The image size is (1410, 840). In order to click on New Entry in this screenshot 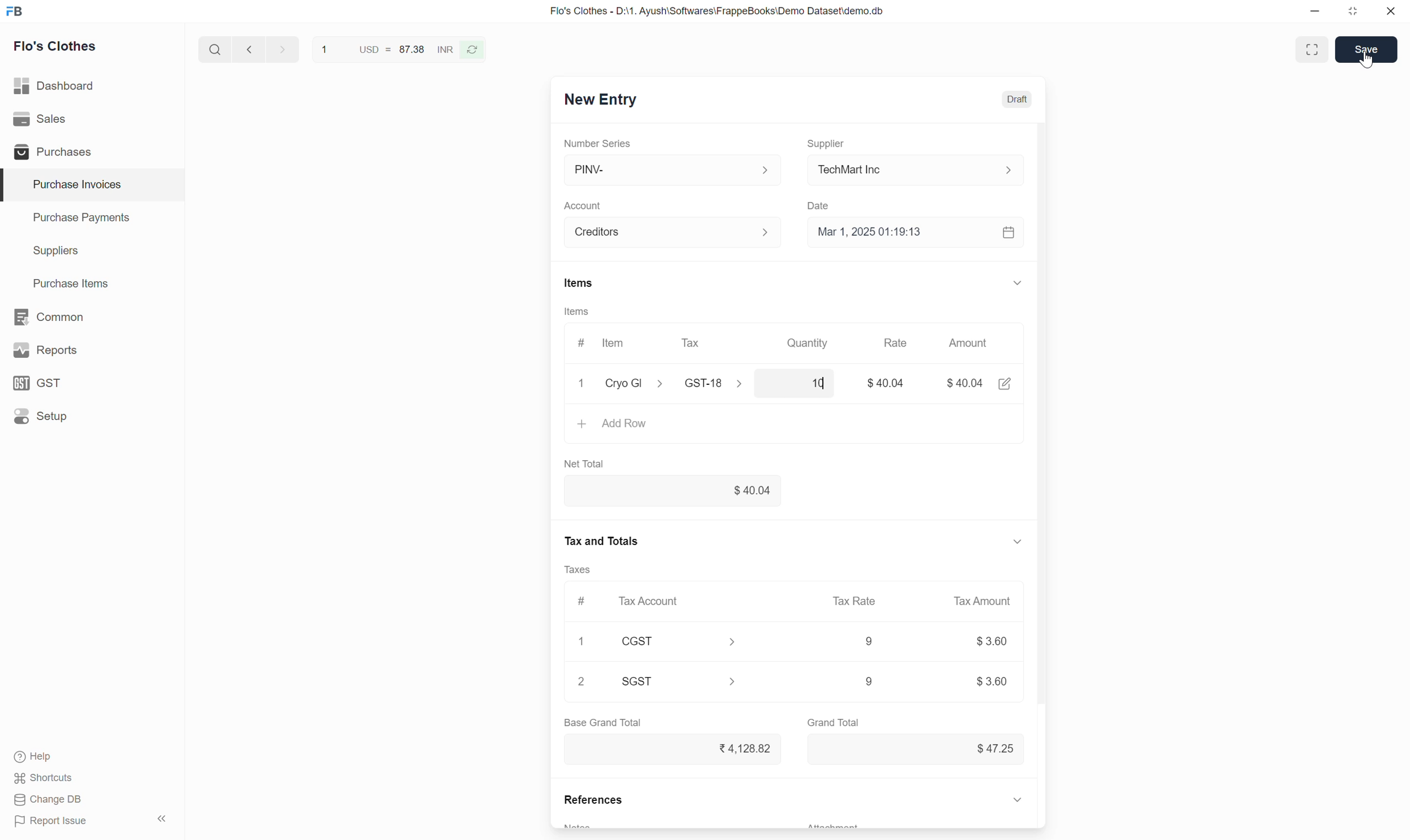, I will do `click(599, 101)`.